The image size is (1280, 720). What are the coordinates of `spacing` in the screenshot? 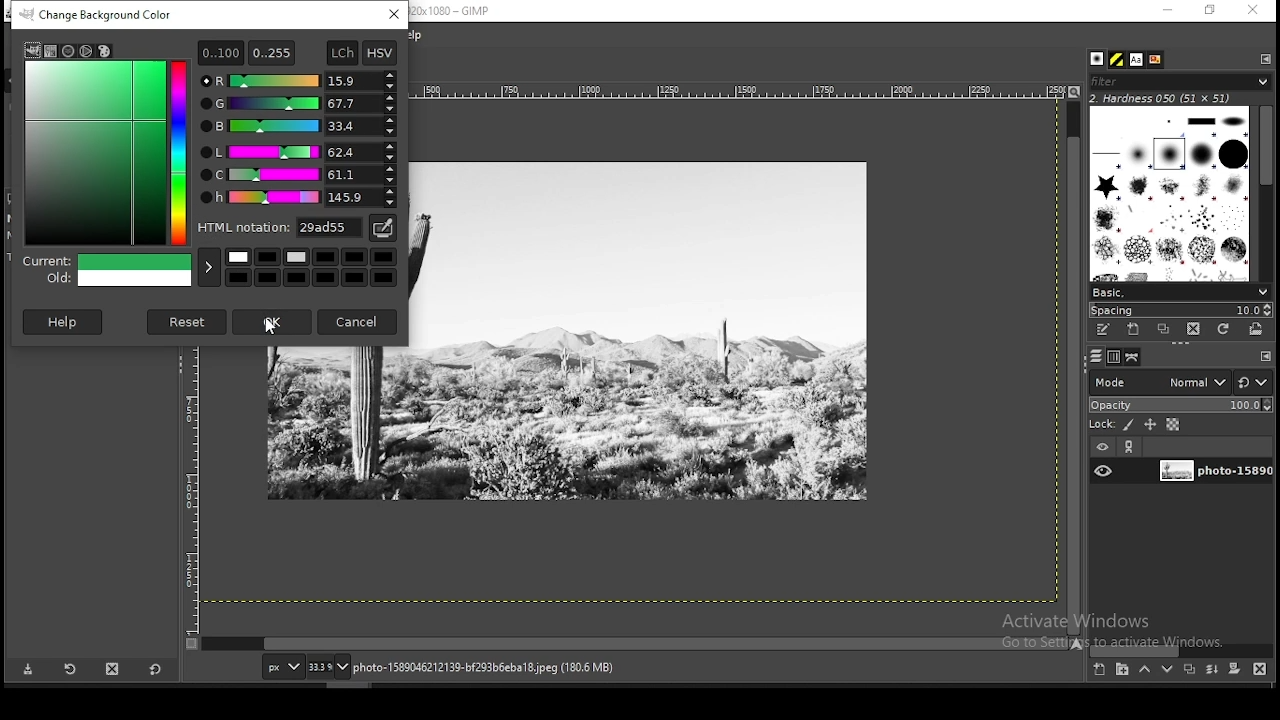 It's located at (1180, 310).